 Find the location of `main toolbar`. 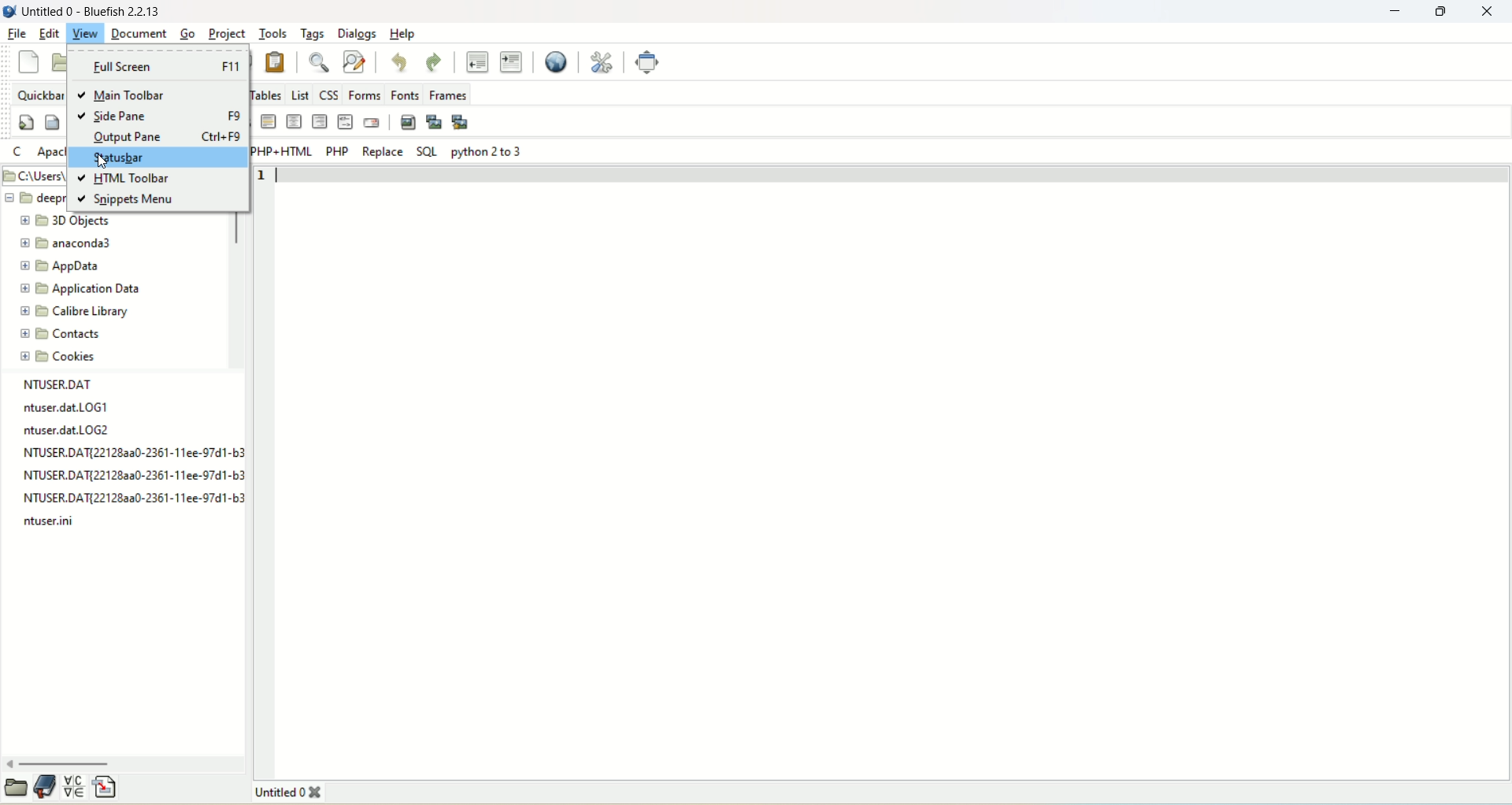

main toolbar is located at coordinates (133, 96).